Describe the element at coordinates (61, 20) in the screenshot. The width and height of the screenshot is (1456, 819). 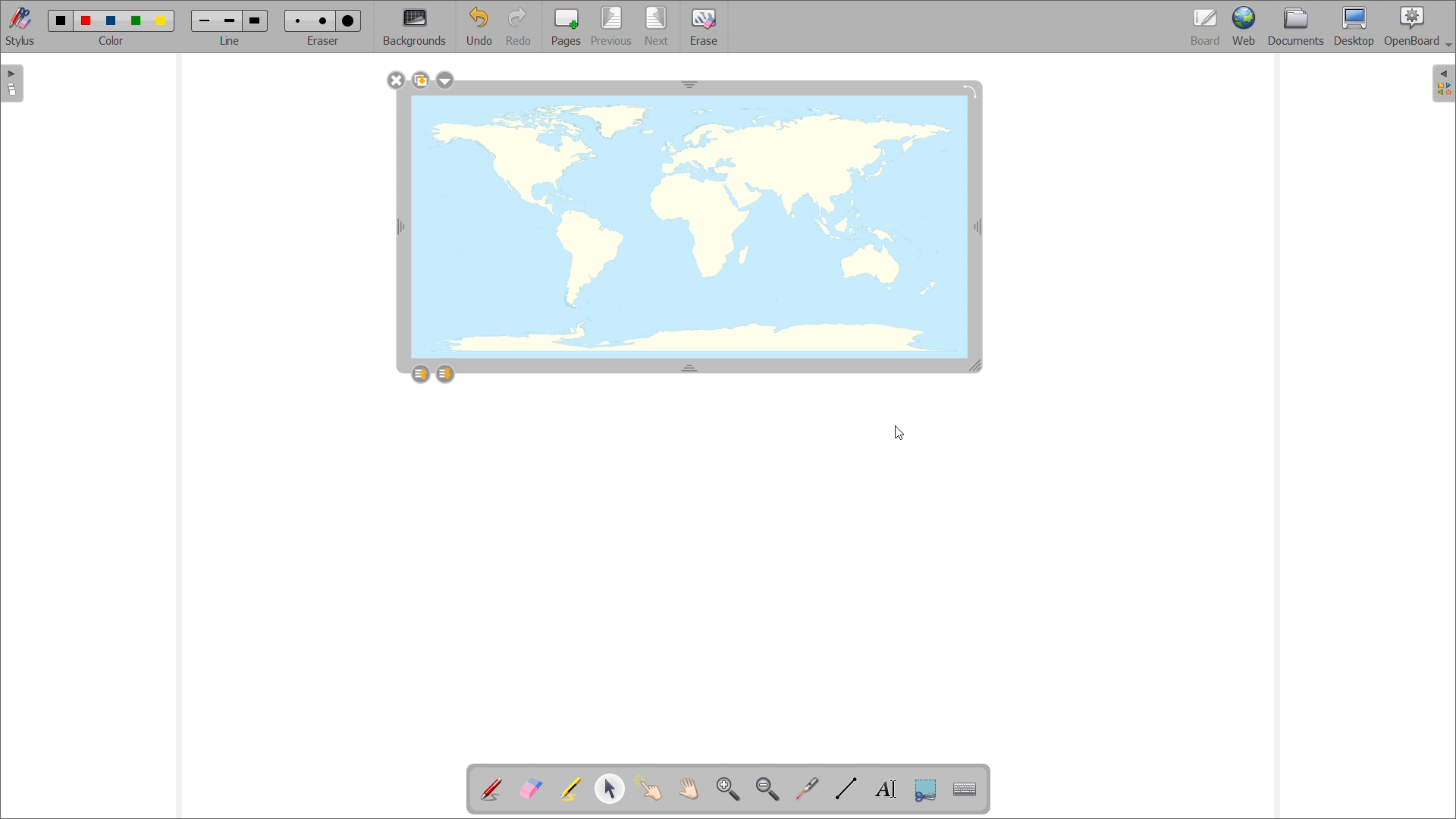
I see `black` at that location.